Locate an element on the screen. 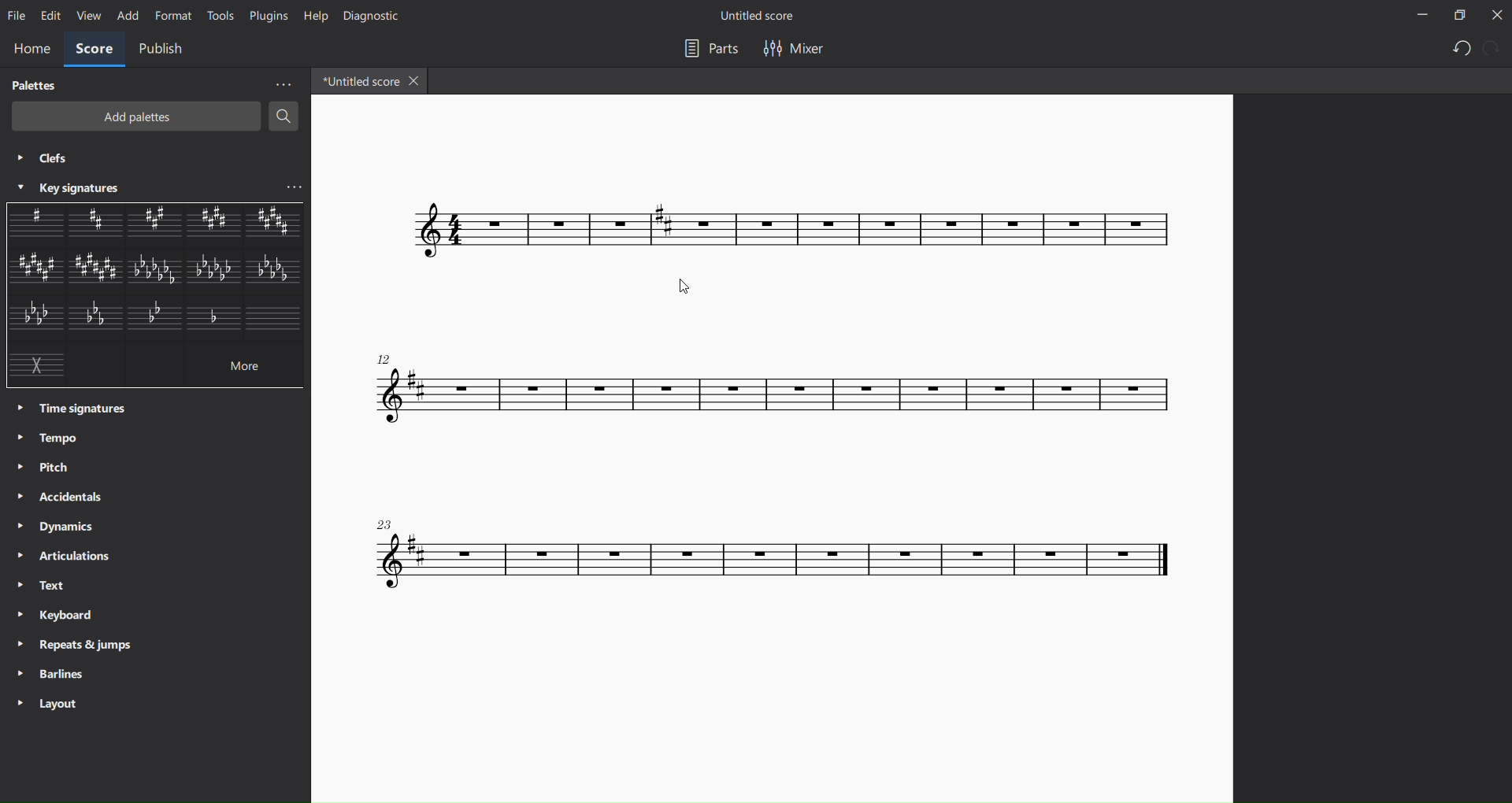 This screenshot has width=1512, height=803. tab name is located at coordinates (360, 82).